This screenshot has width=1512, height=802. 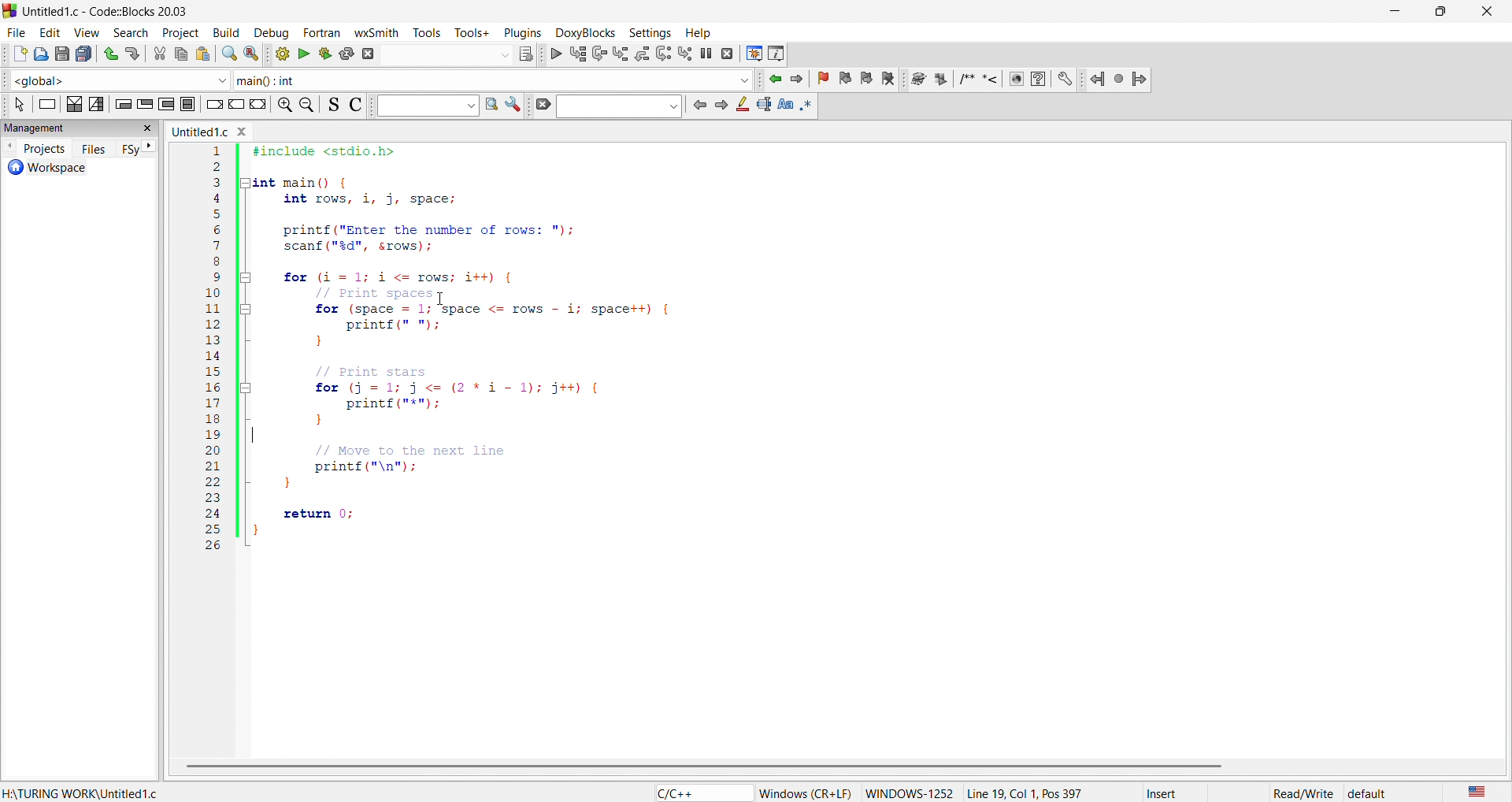 I want to click on cut, so click(x=160, y=54).